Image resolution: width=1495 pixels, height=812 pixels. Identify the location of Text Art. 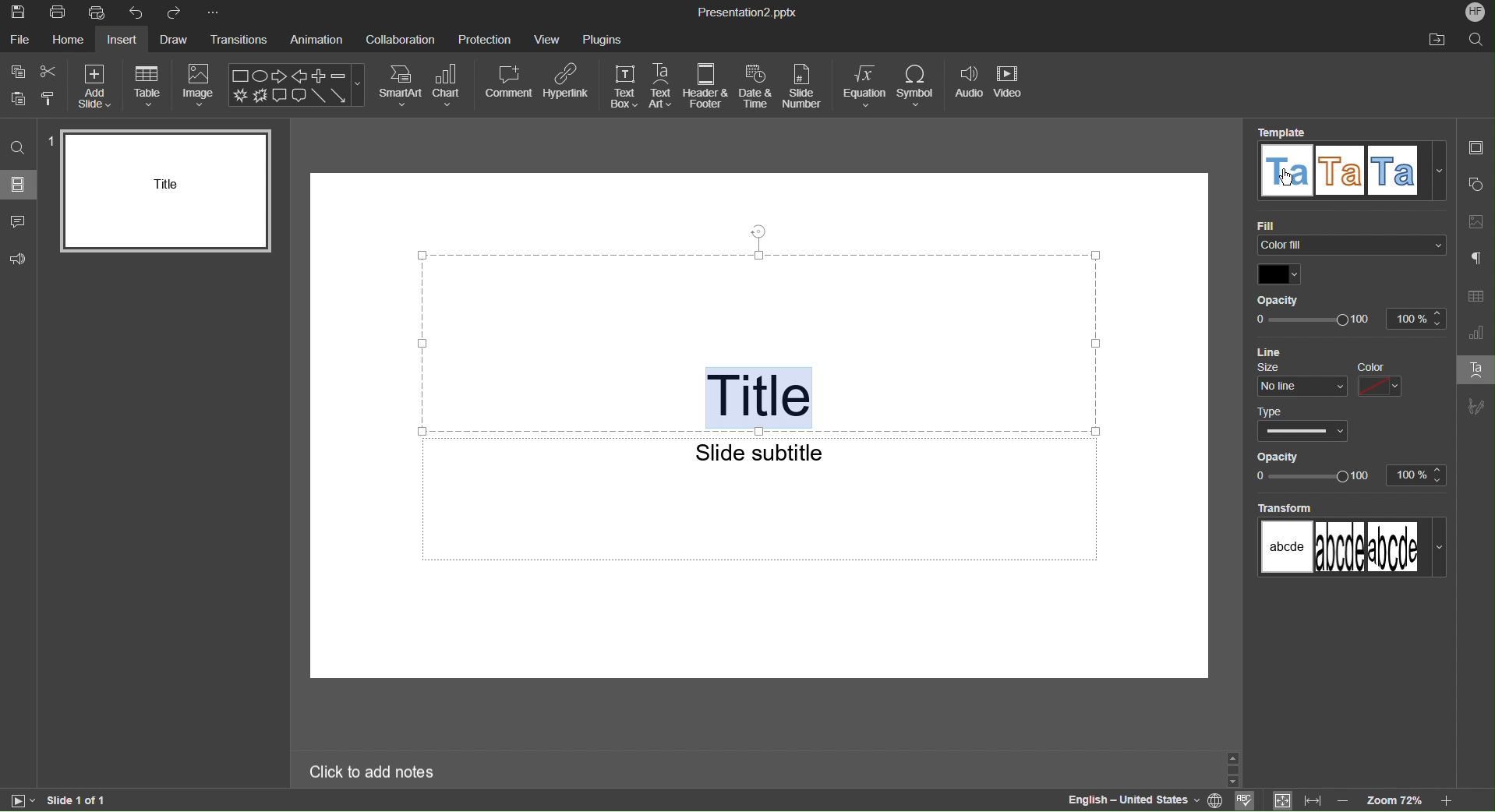
(663, 86).